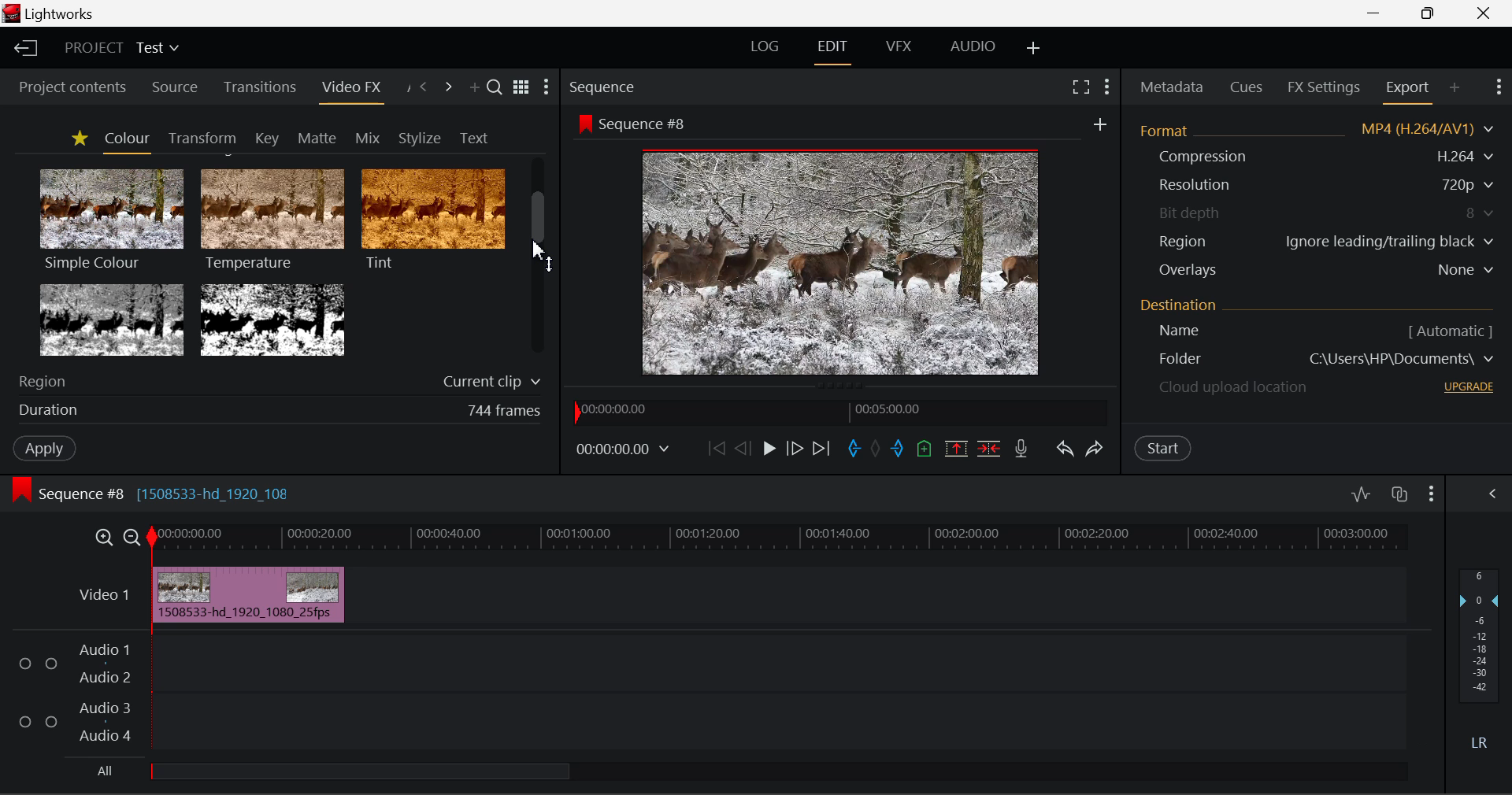 The width and height of the screenshot is (1512, 795). Describe the element at coordinates (425, 89) in the screenshot. I see `Previous Panel` at that location.